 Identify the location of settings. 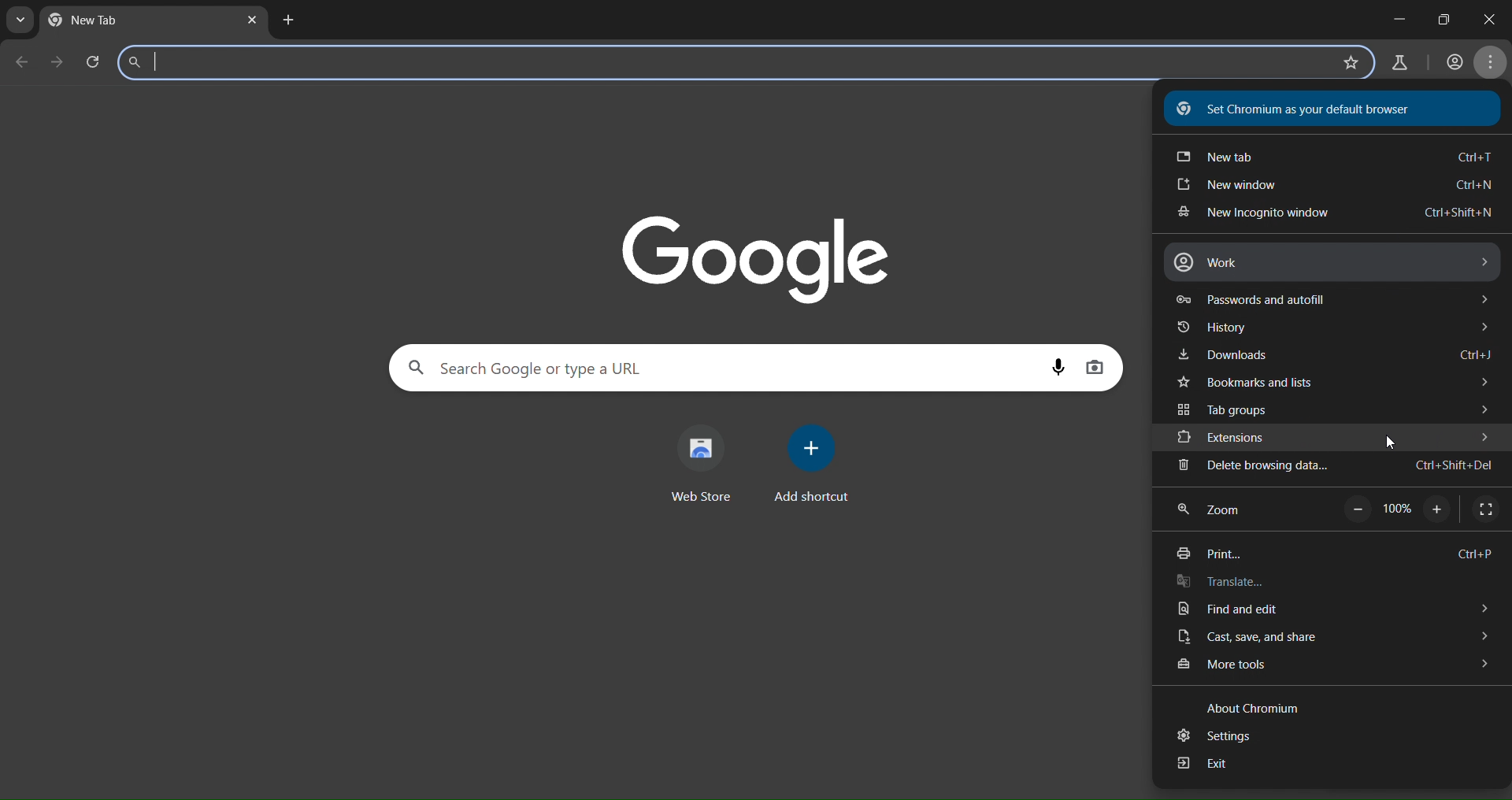
(1218, 738).